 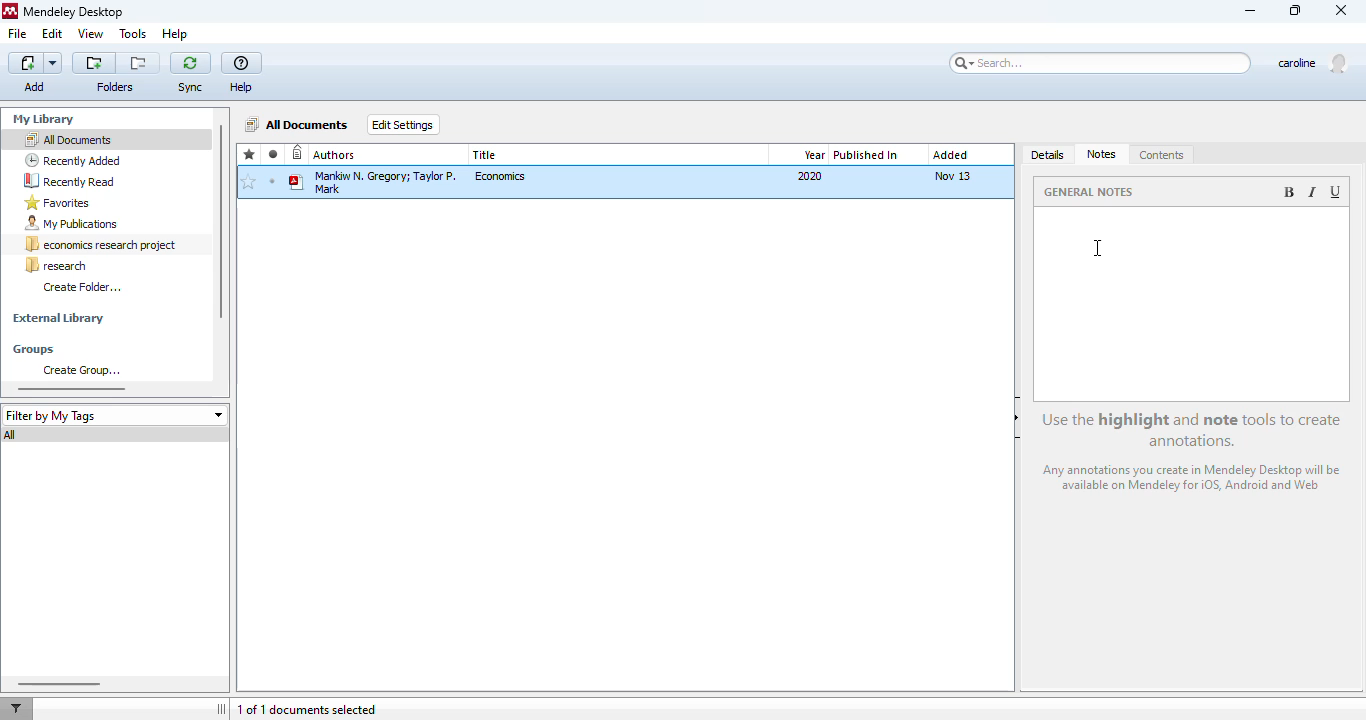 I want to click on 1 of 1 documents selected, so click(x=307, y=710).